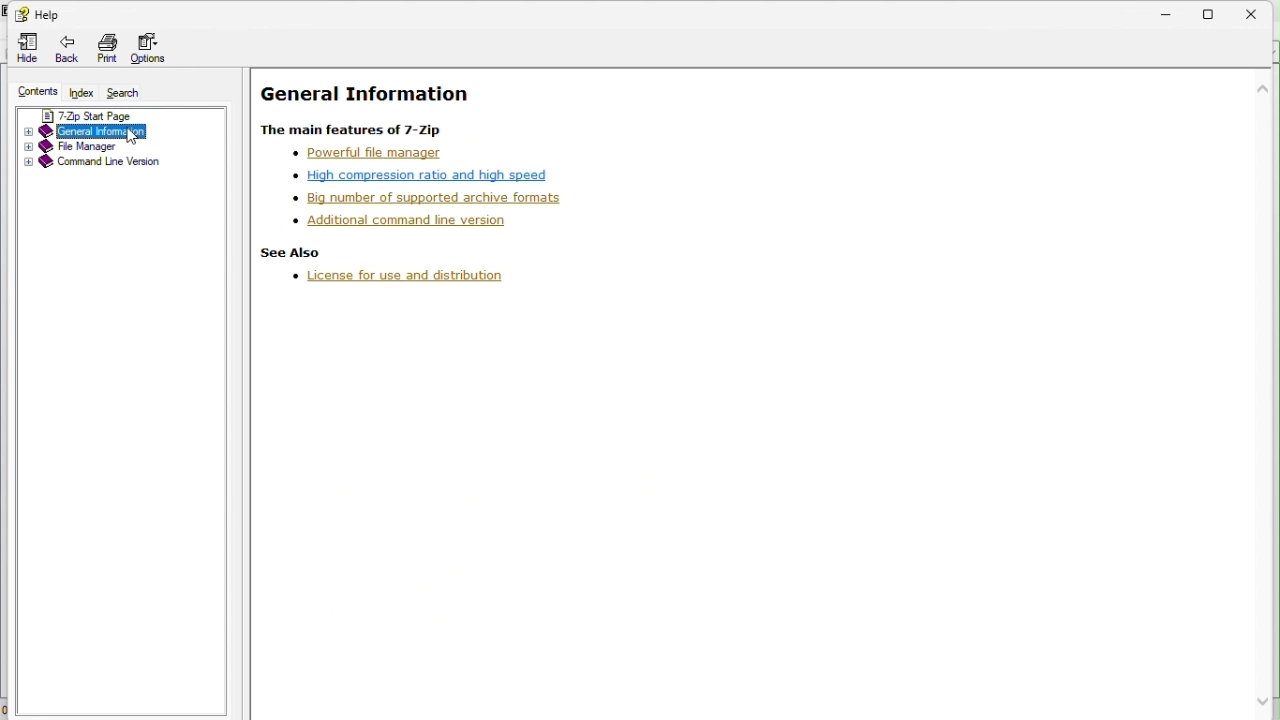 The height and width of the screenshot is (720, 1280). Describe the element at coordinates (84, 94) in the screenshot. I see `index` at that location.